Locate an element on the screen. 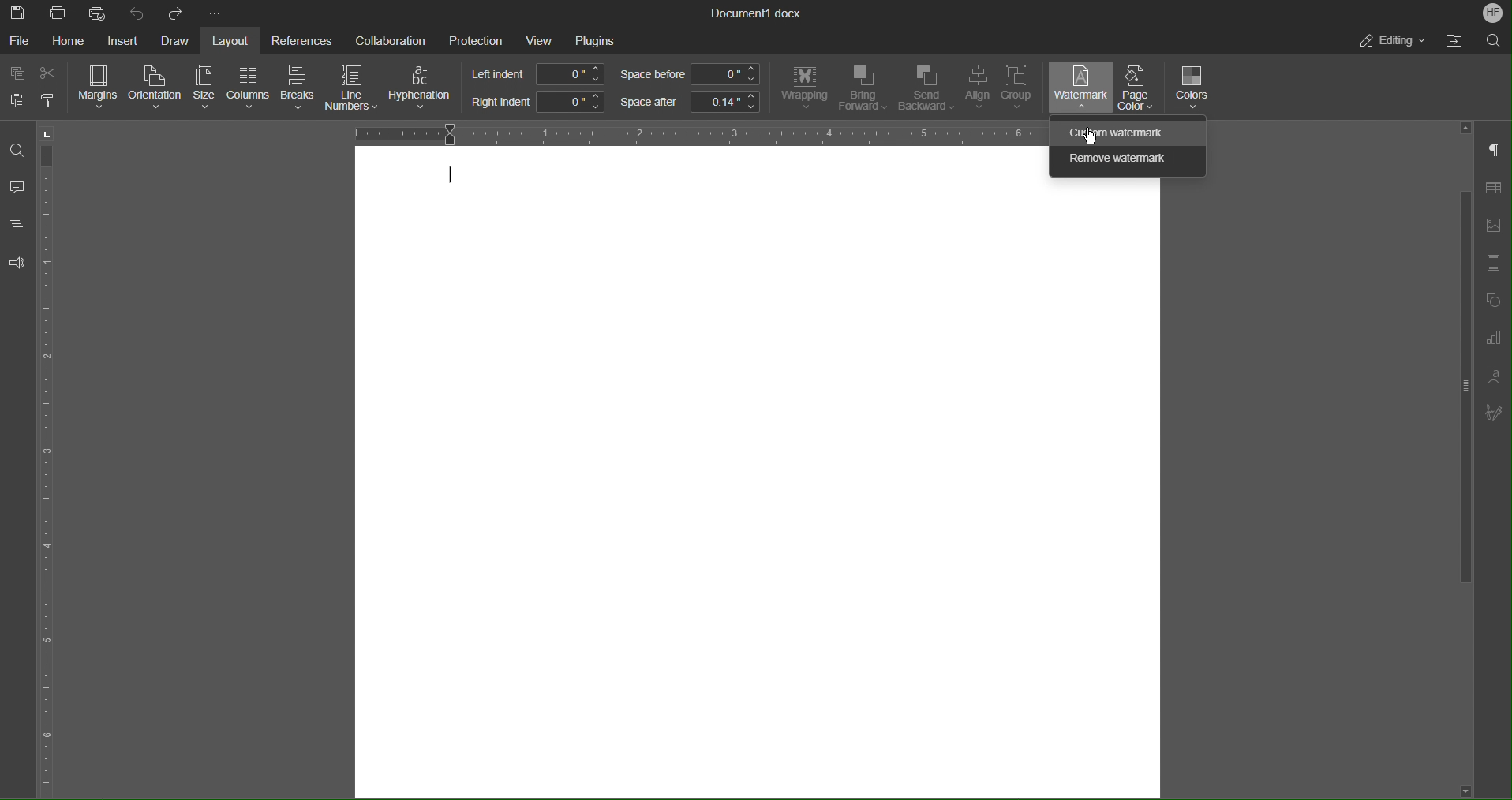 The width and height of the screenshot is (1512, 800). Left indent is located at coordinates (539, 74).